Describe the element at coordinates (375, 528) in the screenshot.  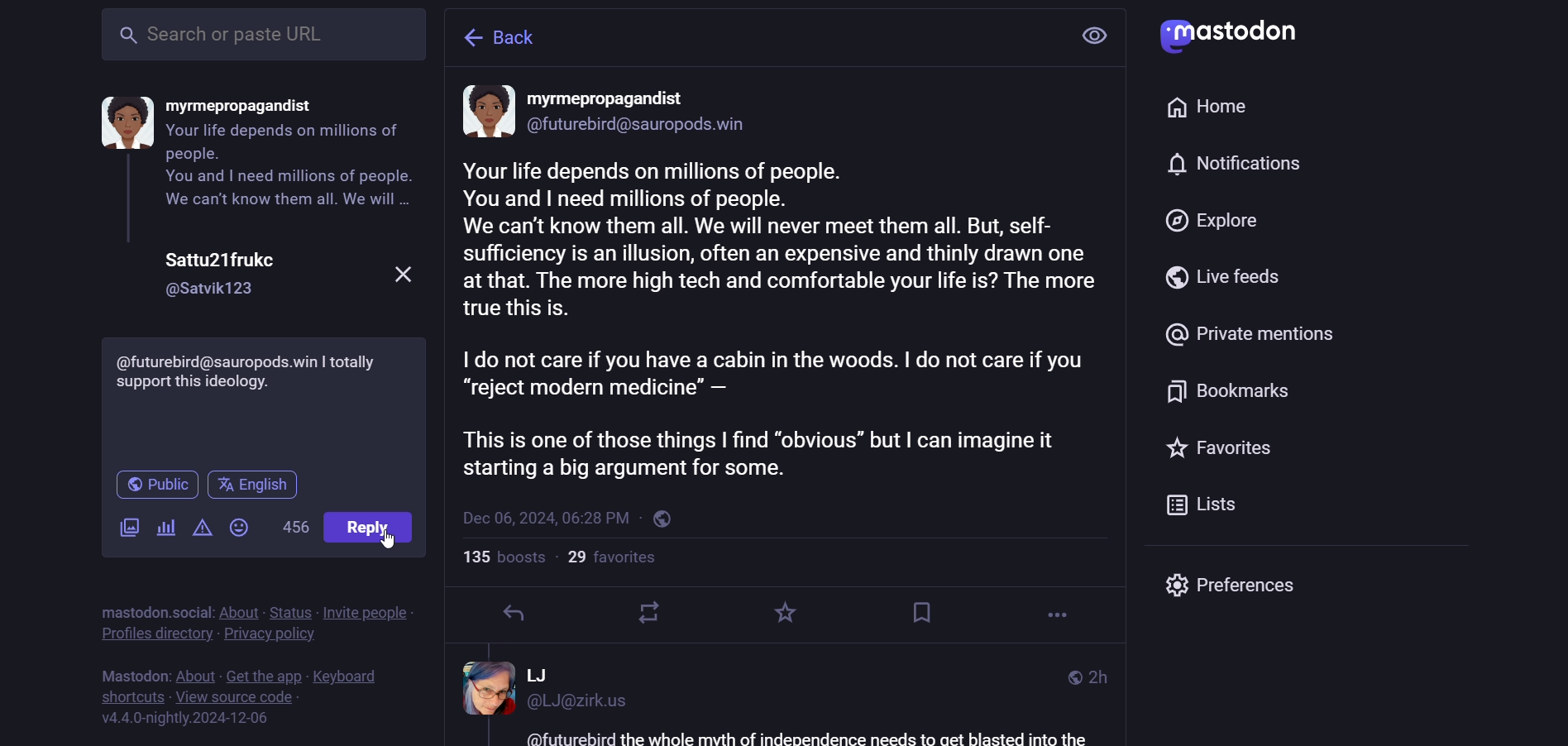
I see `reply` at that location.